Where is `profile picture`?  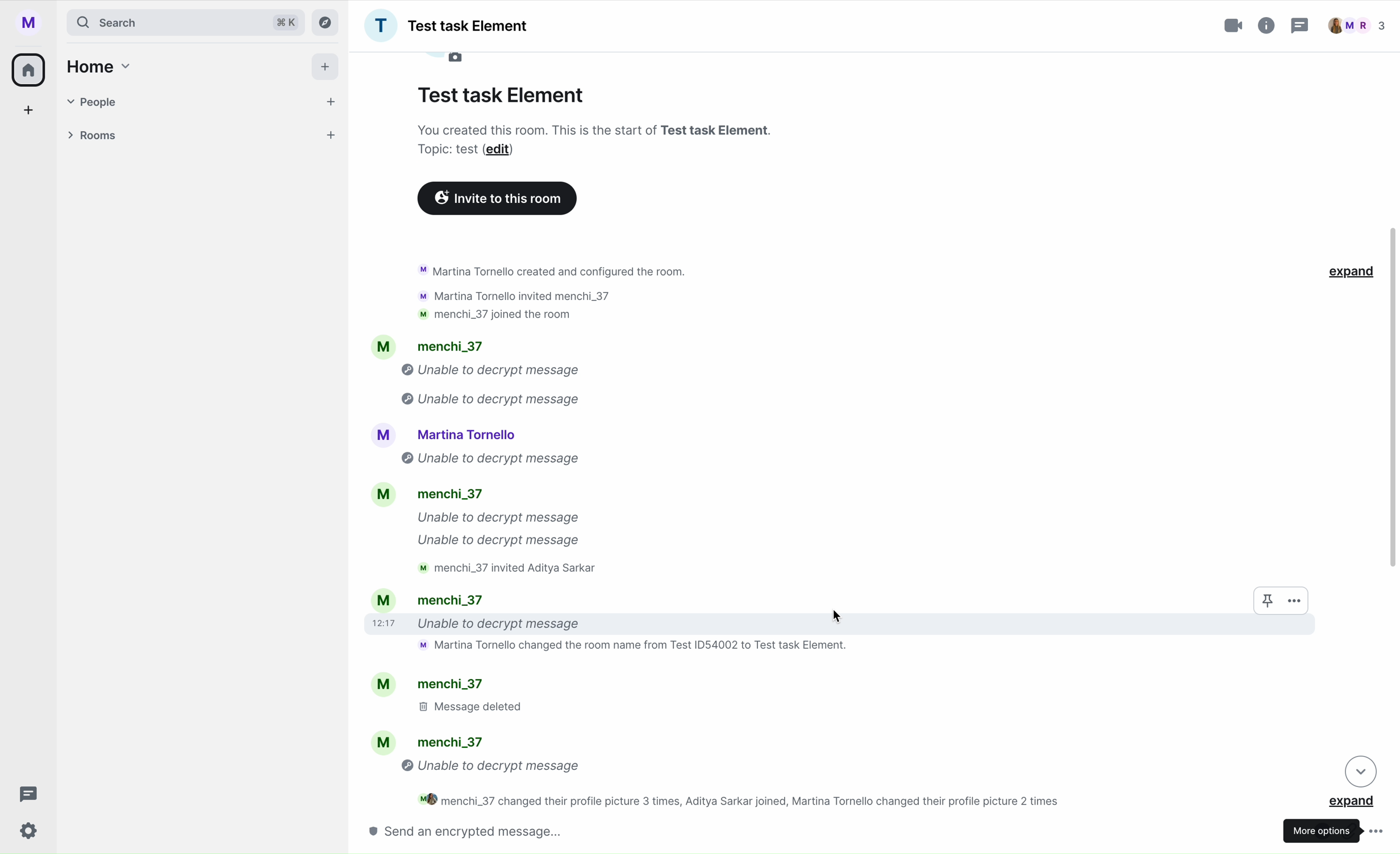 profile picture is located at coordinates (452, 59).